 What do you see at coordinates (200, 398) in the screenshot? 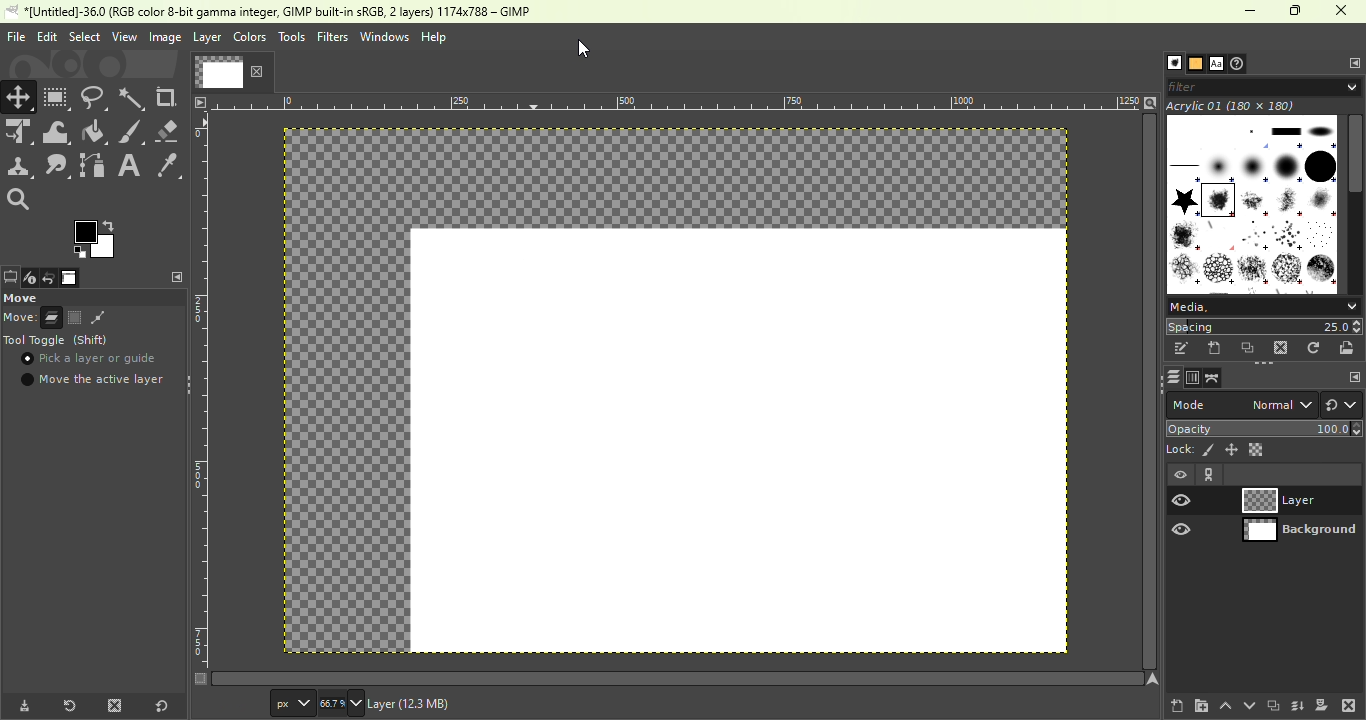
I see `Vertical ruler measurment` at bounding box center [200, 398].